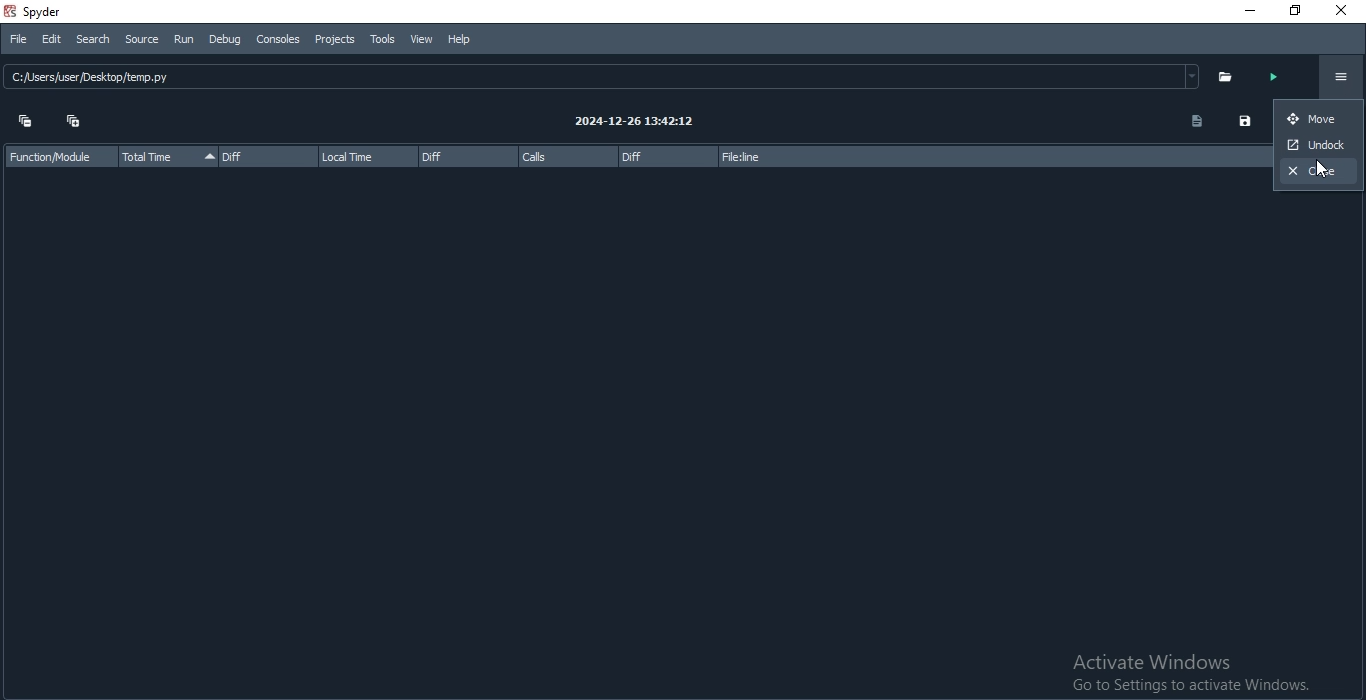  I want to click on diff, so click(268, 156).